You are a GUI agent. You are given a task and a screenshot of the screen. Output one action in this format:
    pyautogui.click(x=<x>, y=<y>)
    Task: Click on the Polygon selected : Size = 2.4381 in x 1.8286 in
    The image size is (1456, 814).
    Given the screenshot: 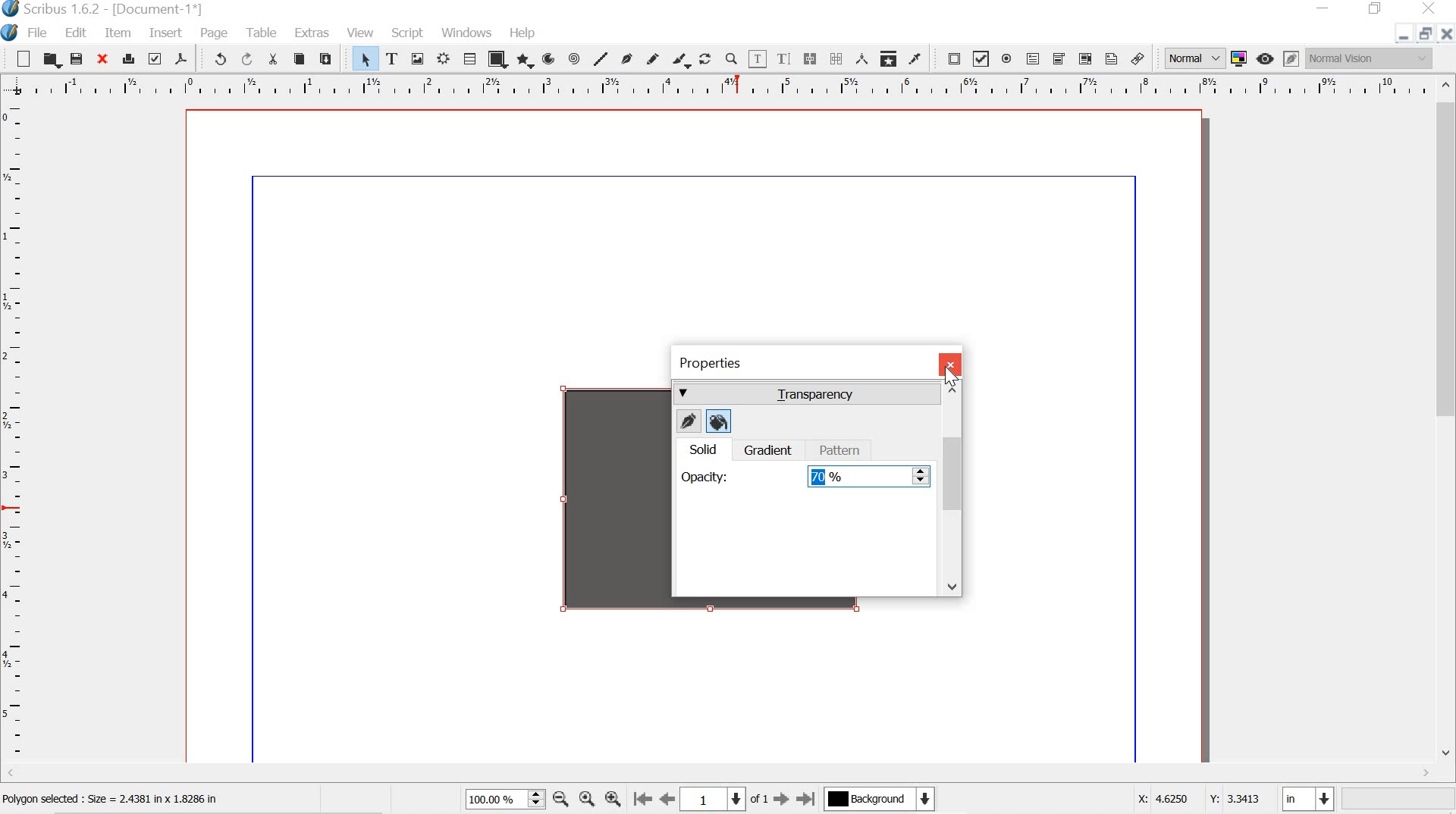 What is the action you would take?
    pyautogui.click(x=118, y=800)
    